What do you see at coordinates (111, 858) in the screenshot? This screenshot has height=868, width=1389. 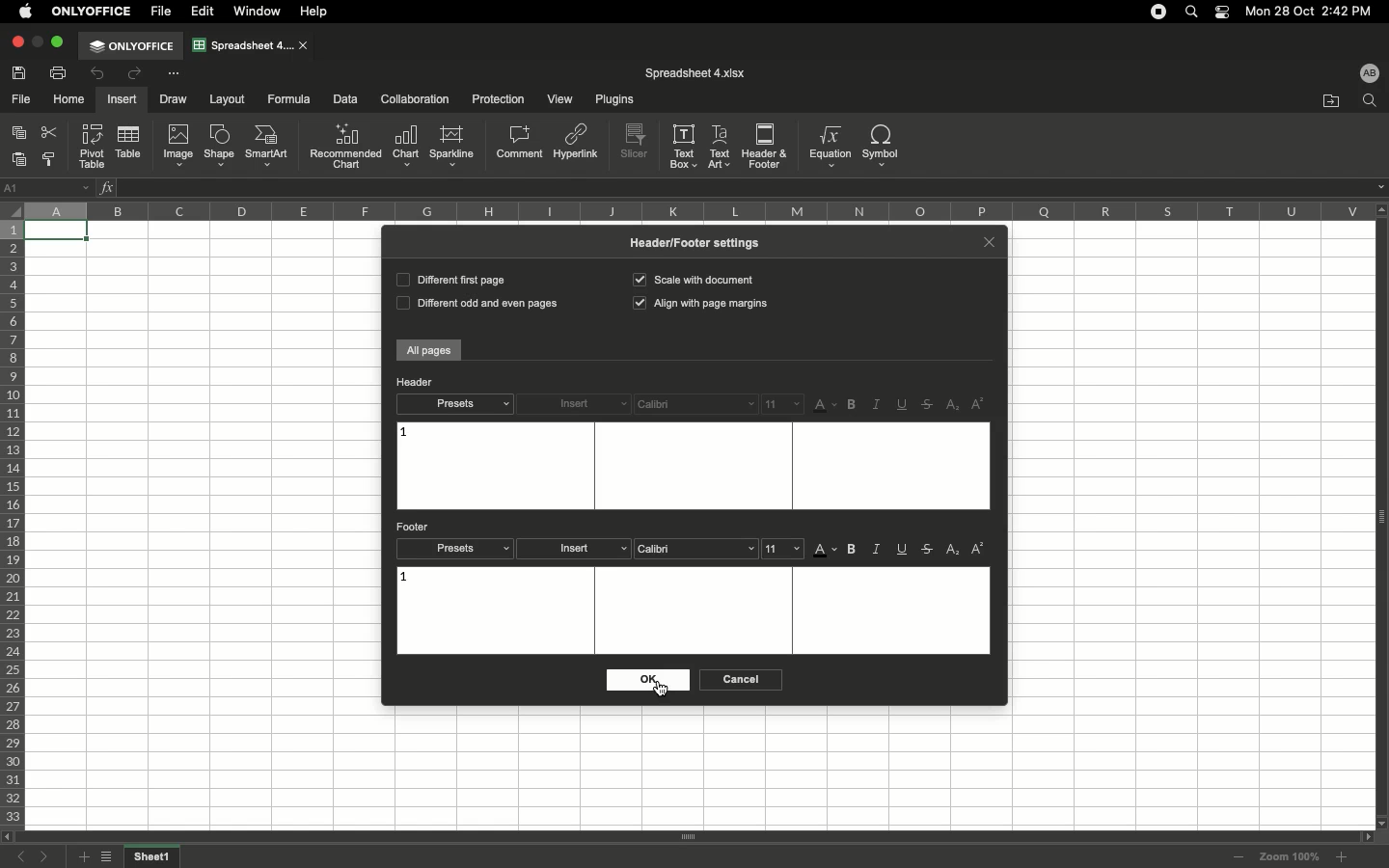 I see `List of sheets` at bounding box center [111, 858].